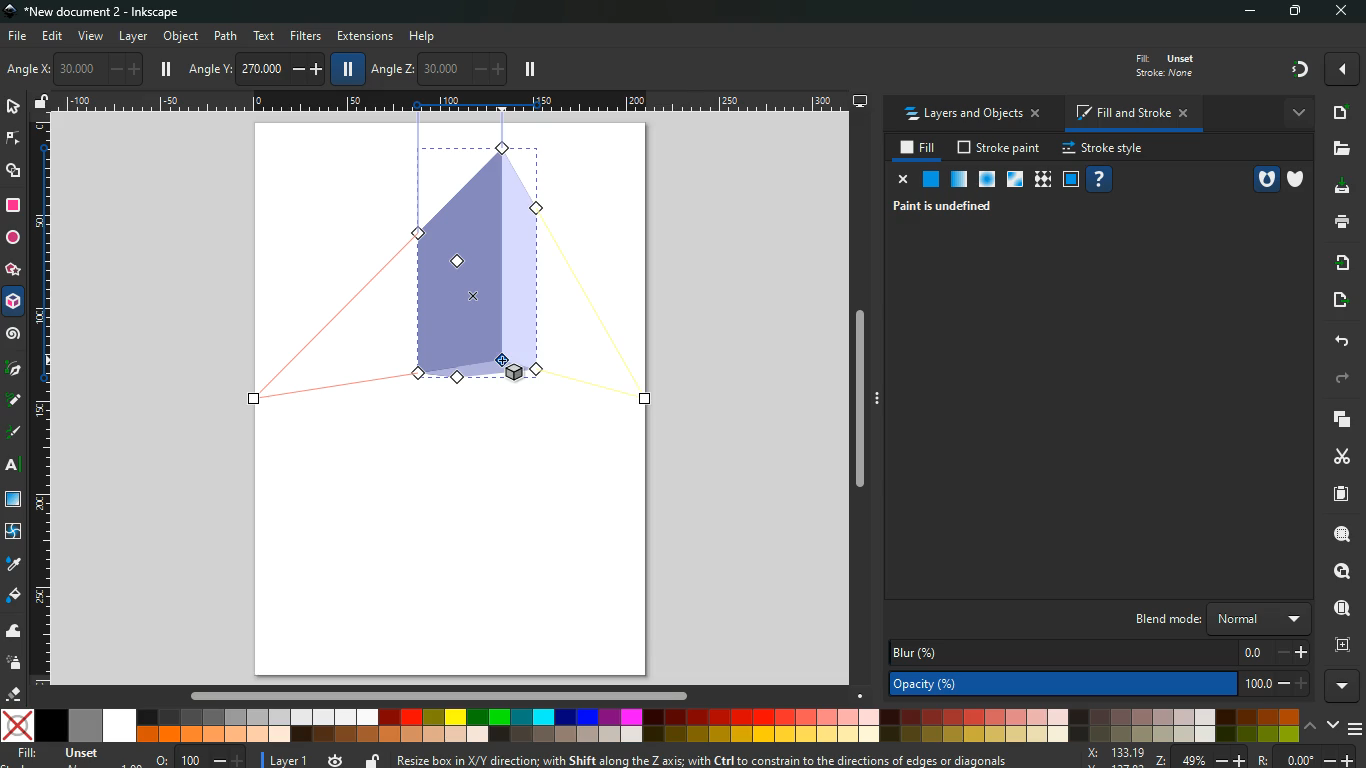 The height and width of the screenshot is (768, 1366). What do you see at coordinates (14, 171) in the screenshot?
I see `shapes` at bounding box center [14, 171].